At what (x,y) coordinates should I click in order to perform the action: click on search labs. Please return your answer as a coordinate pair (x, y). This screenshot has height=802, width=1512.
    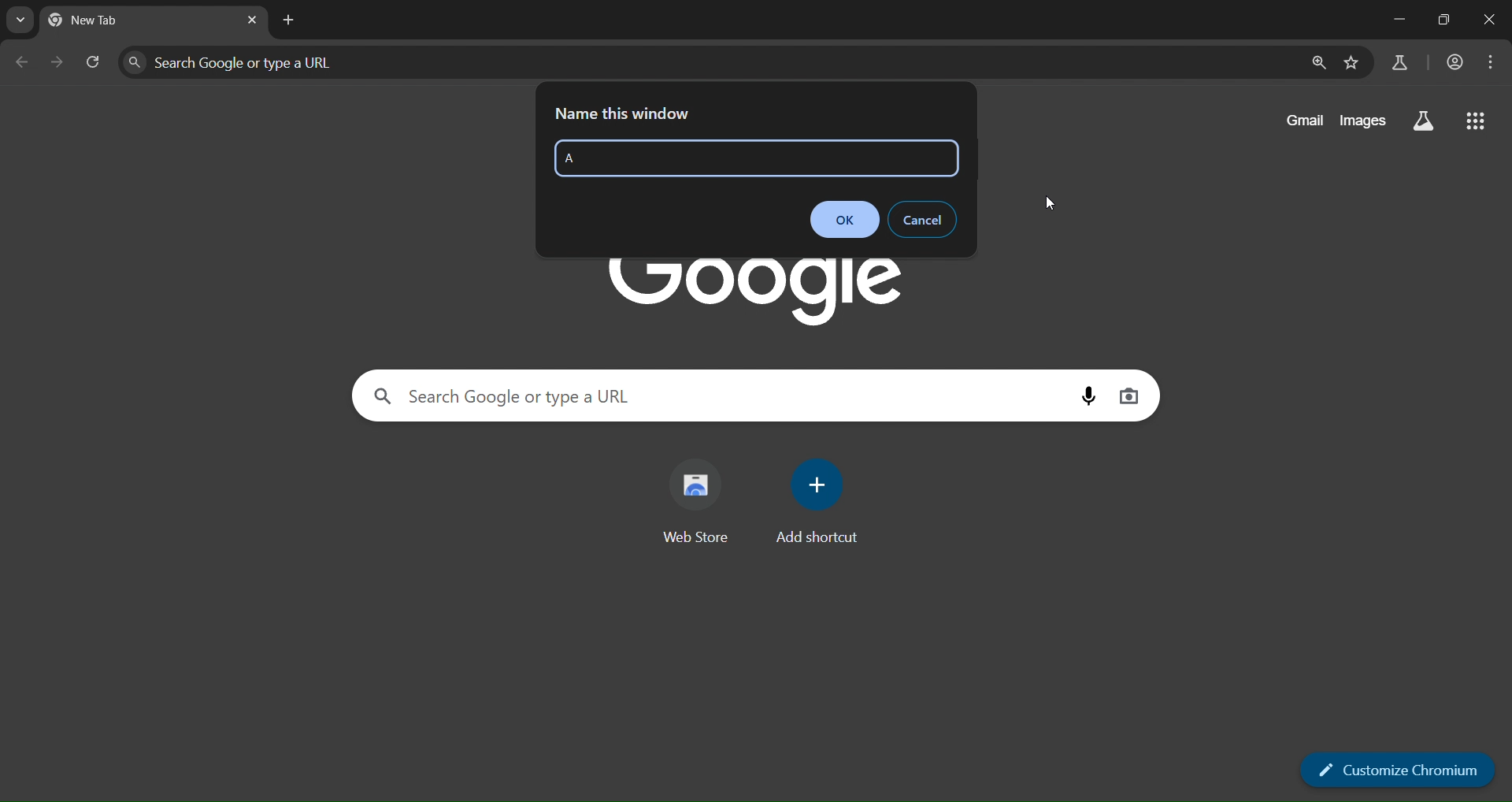
    Looking at the image, I should click on (1422, 118).